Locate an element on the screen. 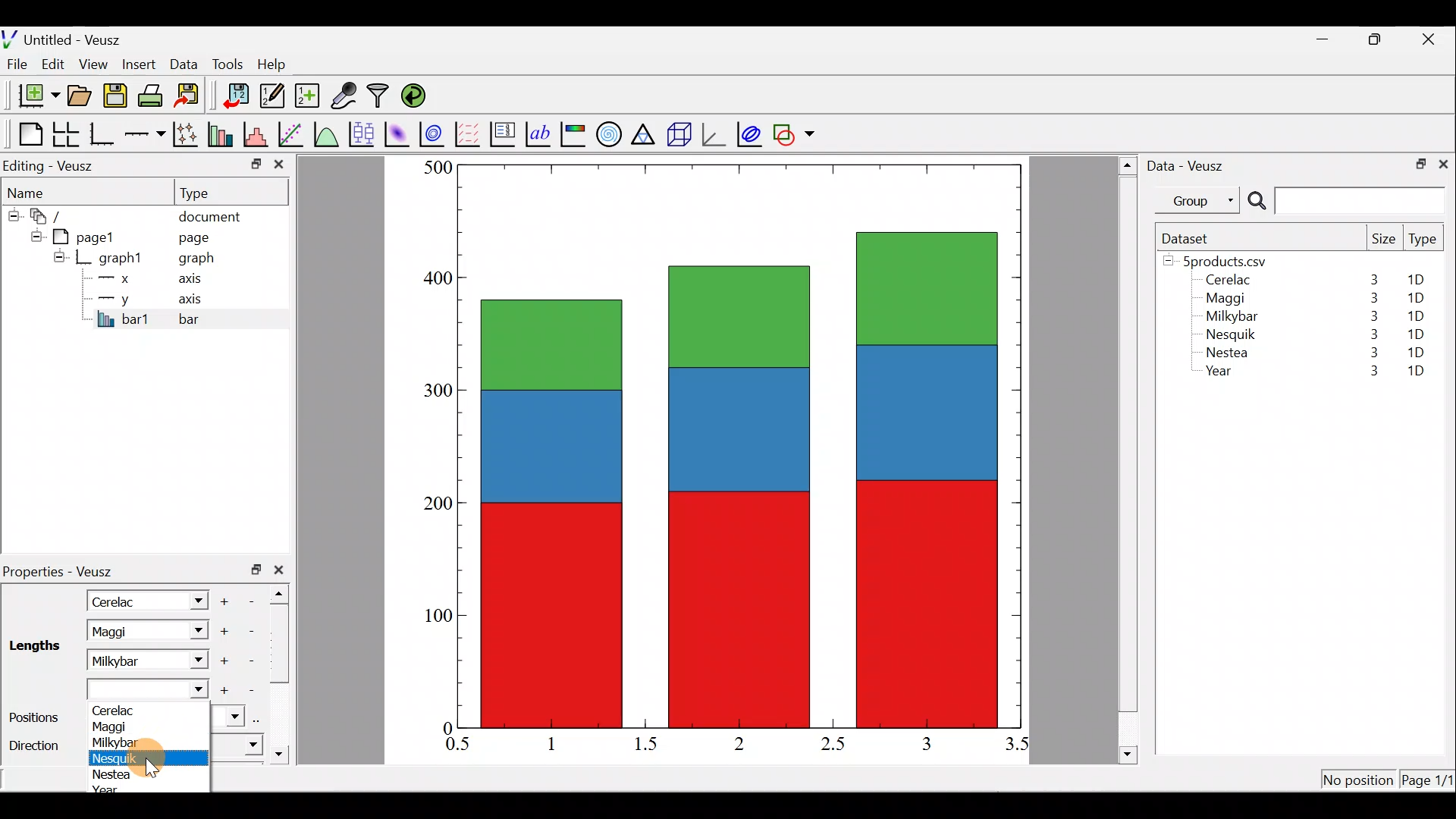 This screenshot has width=1456, height=819. 500 is located at coordinates (437, 167).